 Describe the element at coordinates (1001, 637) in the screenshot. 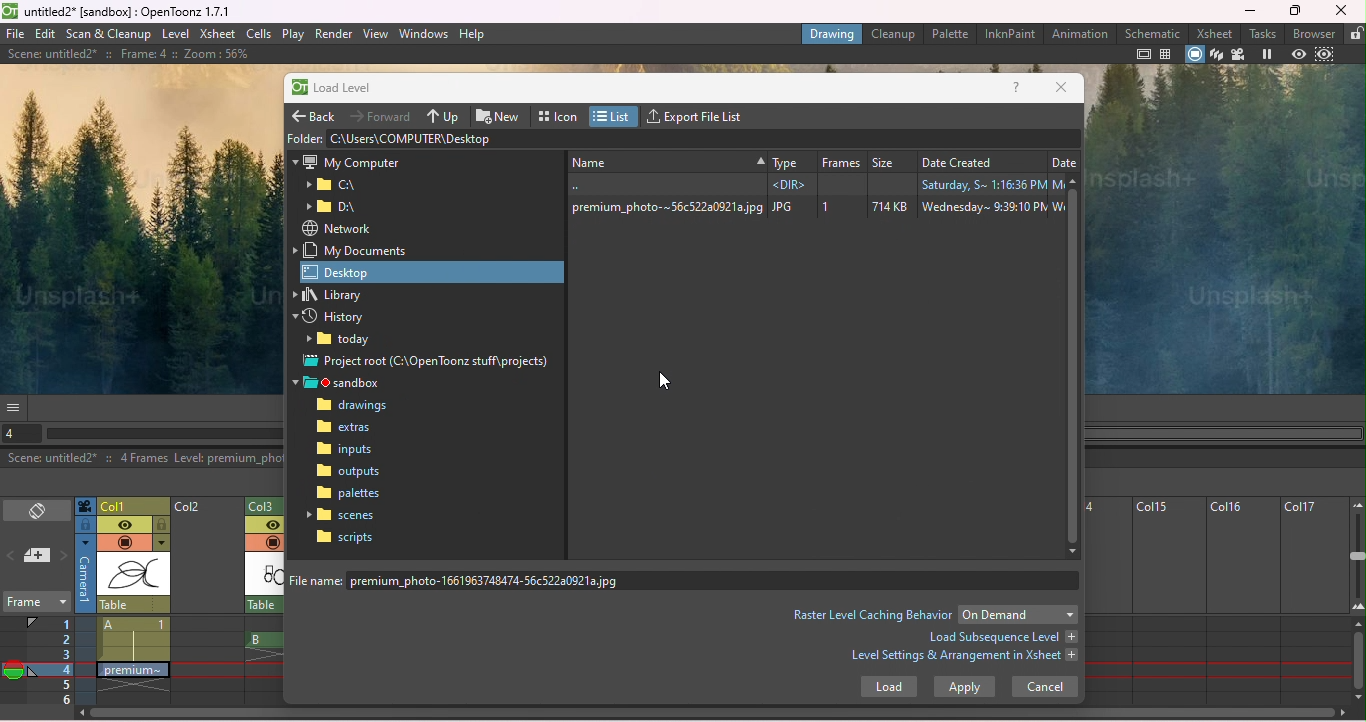

I see `Load subsequent level` at that location.